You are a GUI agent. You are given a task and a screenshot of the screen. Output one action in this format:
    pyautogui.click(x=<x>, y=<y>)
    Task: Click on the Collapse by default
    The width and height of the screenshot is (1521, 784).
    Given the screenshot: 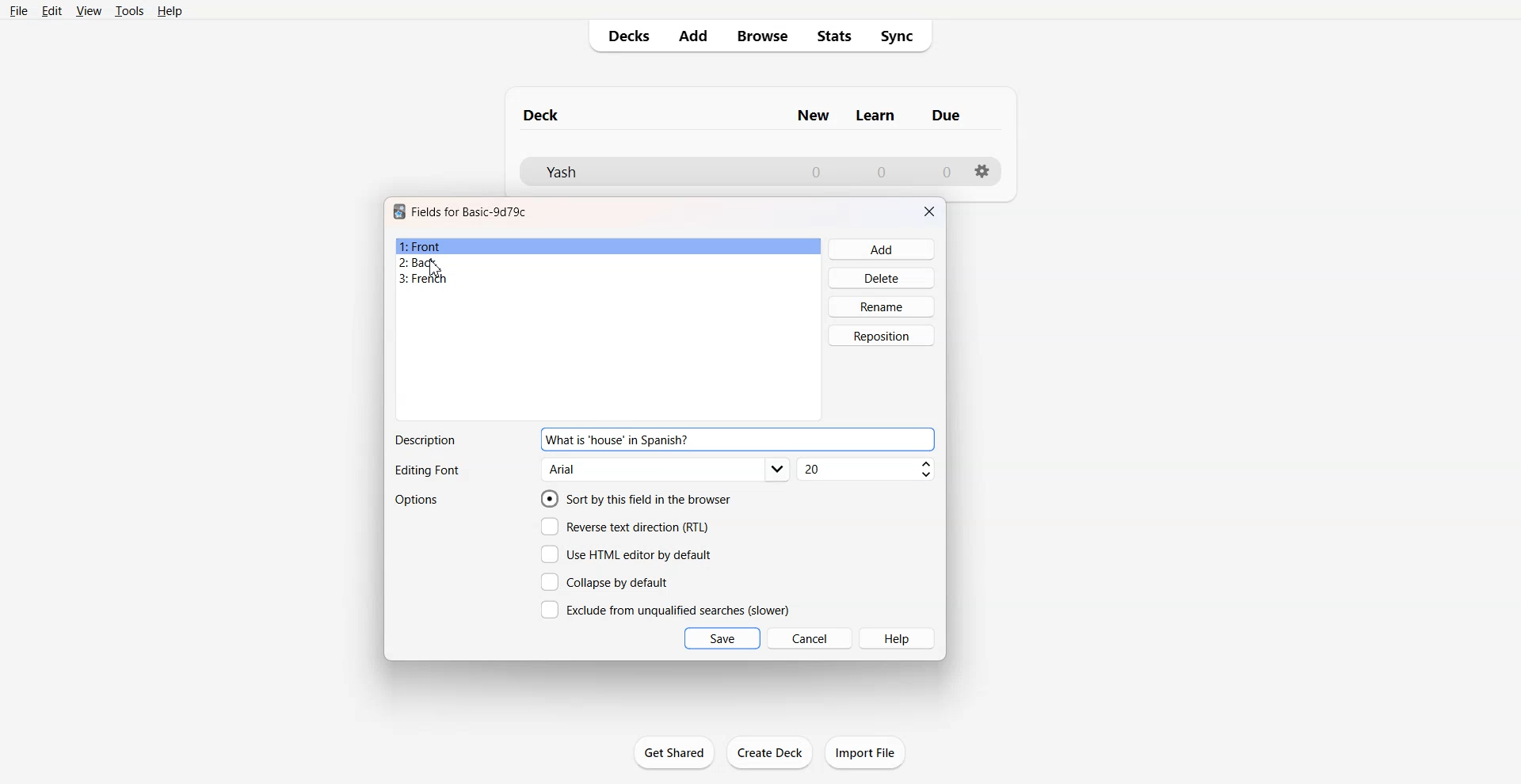 What is the action you would take?
    pyautogui.click(x=608, y=581)
    